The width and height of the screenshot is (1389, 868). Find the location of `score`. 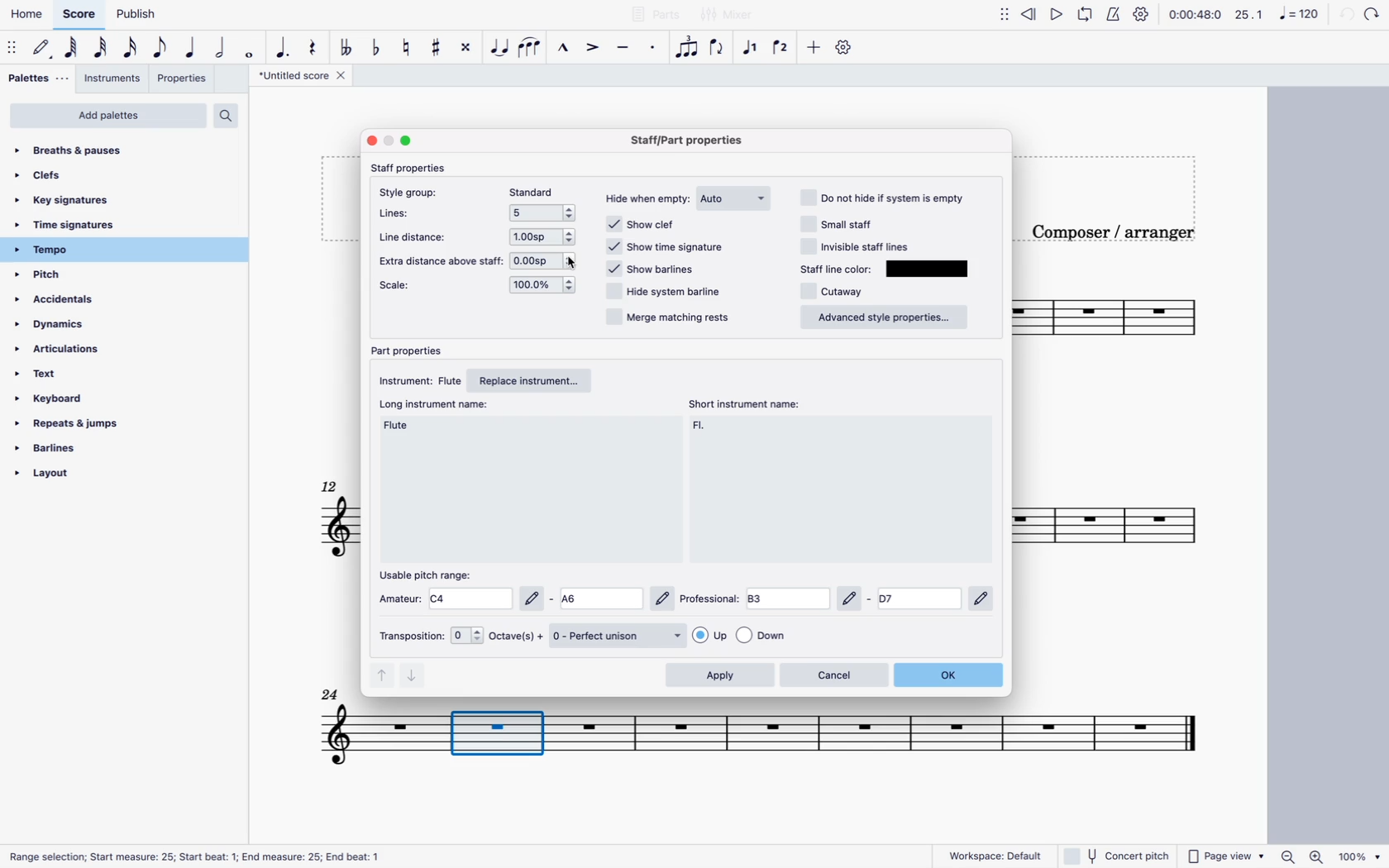

score is located at coordinates (326, 727).